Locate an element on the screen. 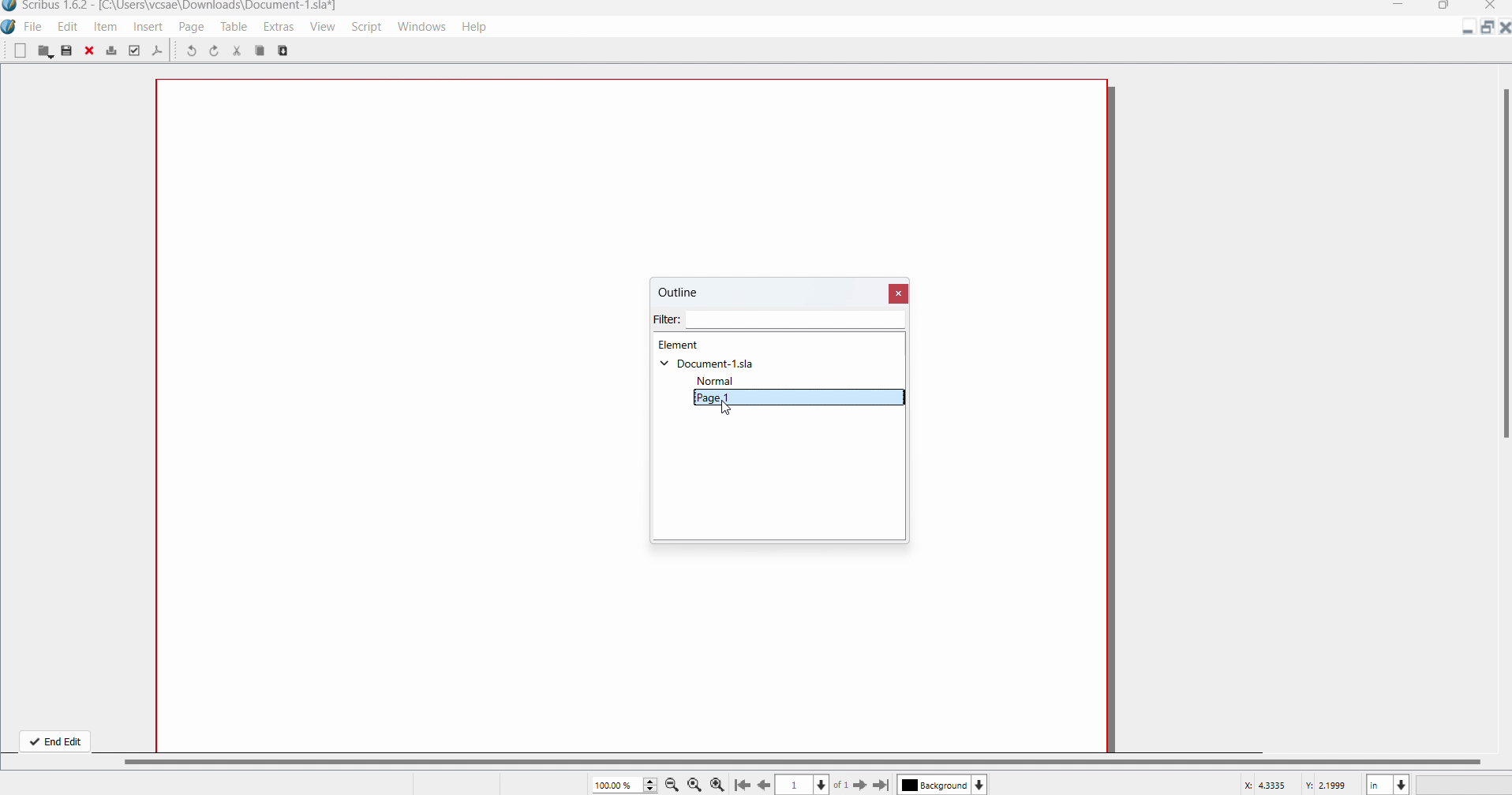 The height and width of the screenshot is (795, 1512). page 1 is located at coordinates (799, 398).